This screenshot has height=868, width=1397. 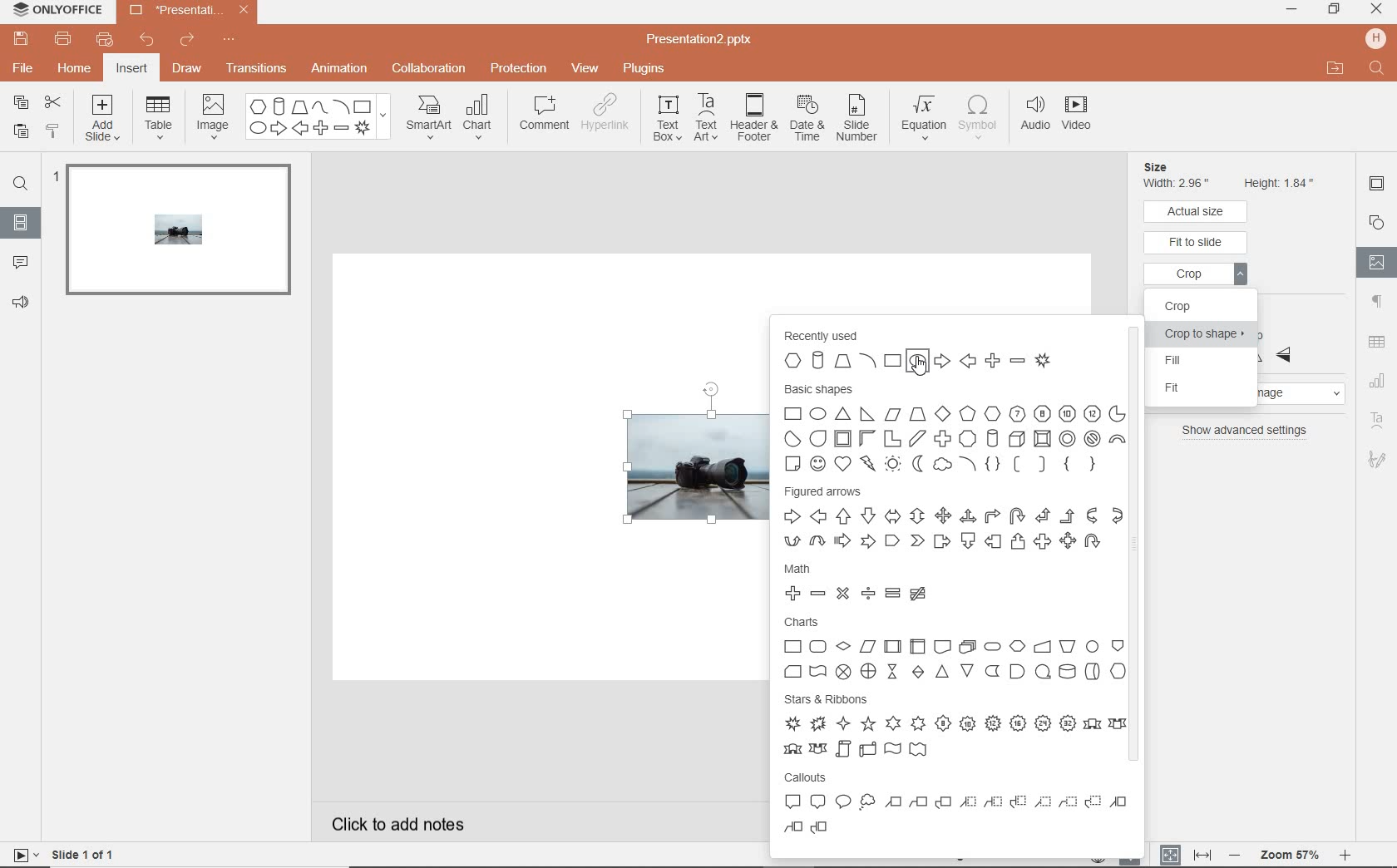 What do you see at coordinates (1379, 379) in the screenshot?
I see `chart` at bounding box center [1379, 379].